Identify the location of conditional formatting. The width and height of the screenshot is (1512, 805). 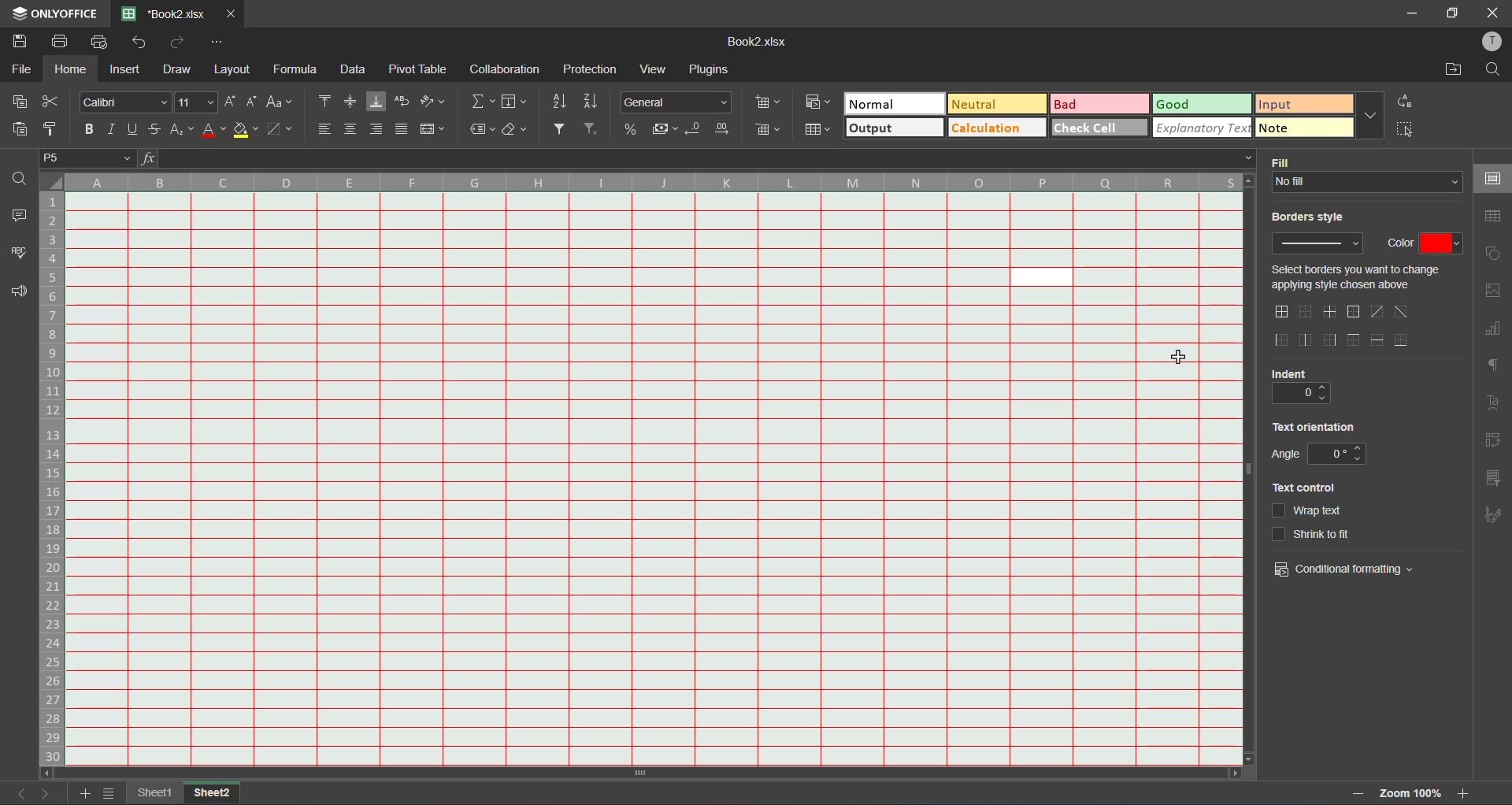
(813, 103).